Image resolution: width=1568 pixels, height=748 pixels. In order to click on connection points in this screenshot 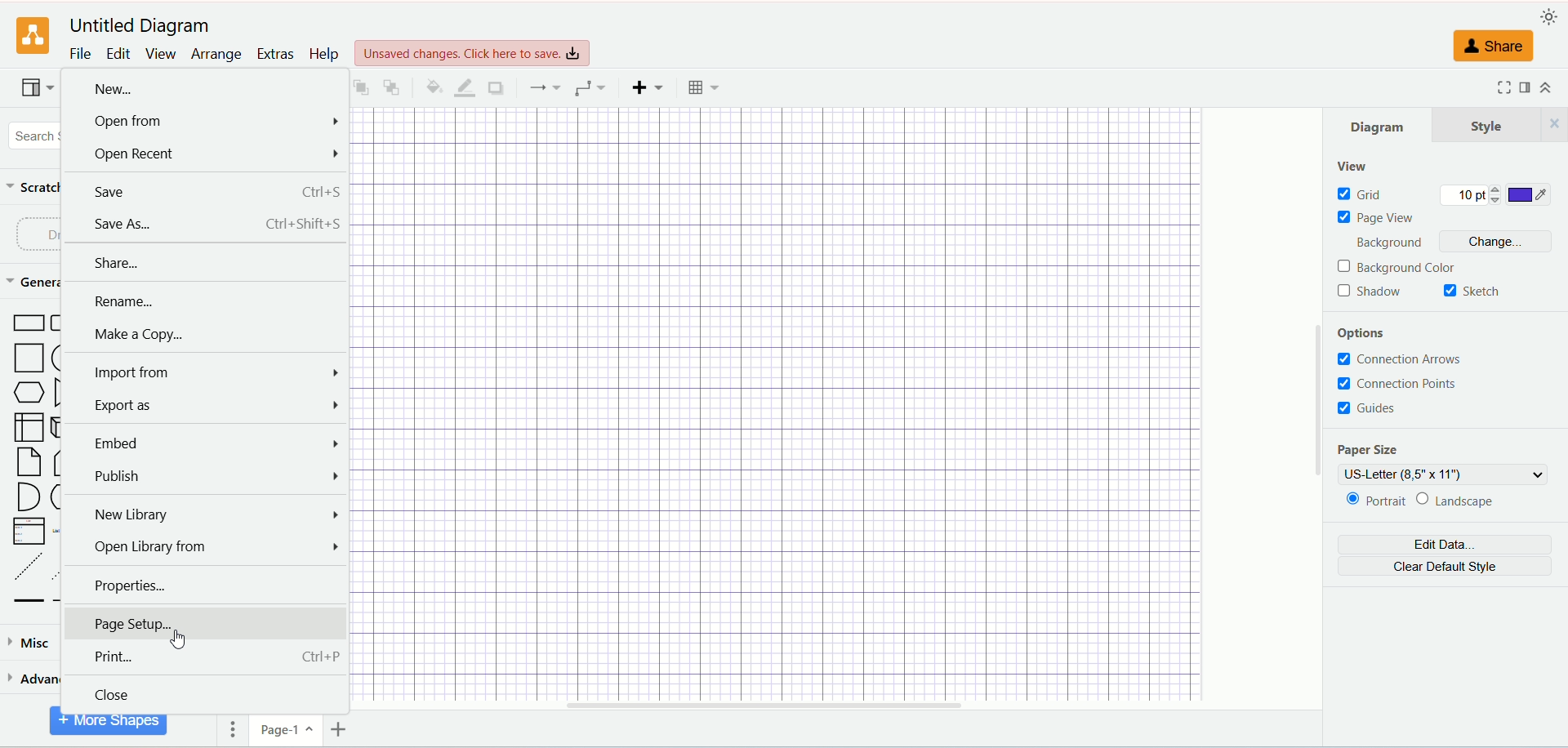, I will do `click(1397, 383)`.